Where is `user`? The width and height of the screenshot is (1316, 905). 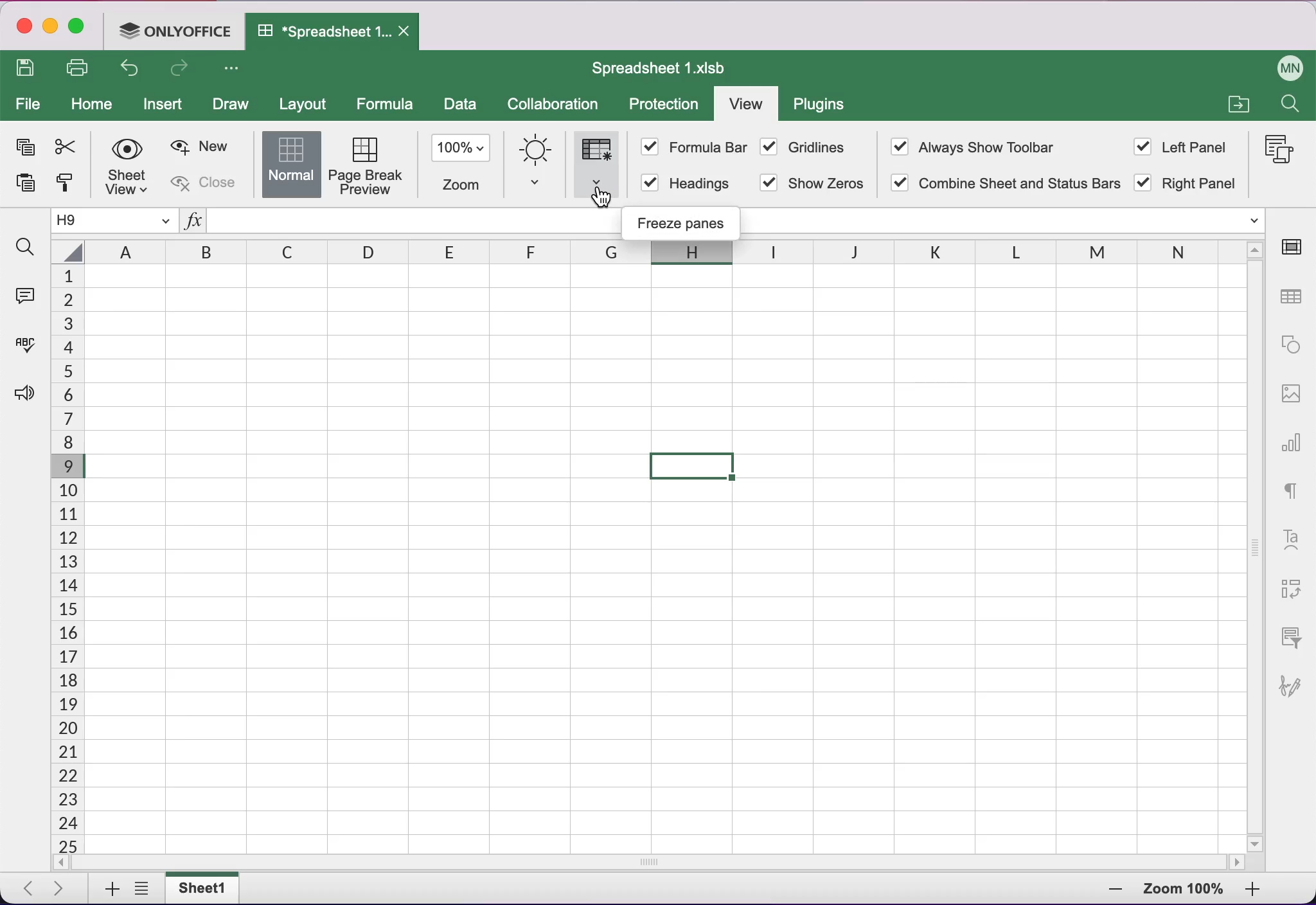
user is located at coordinates (1283, 66).